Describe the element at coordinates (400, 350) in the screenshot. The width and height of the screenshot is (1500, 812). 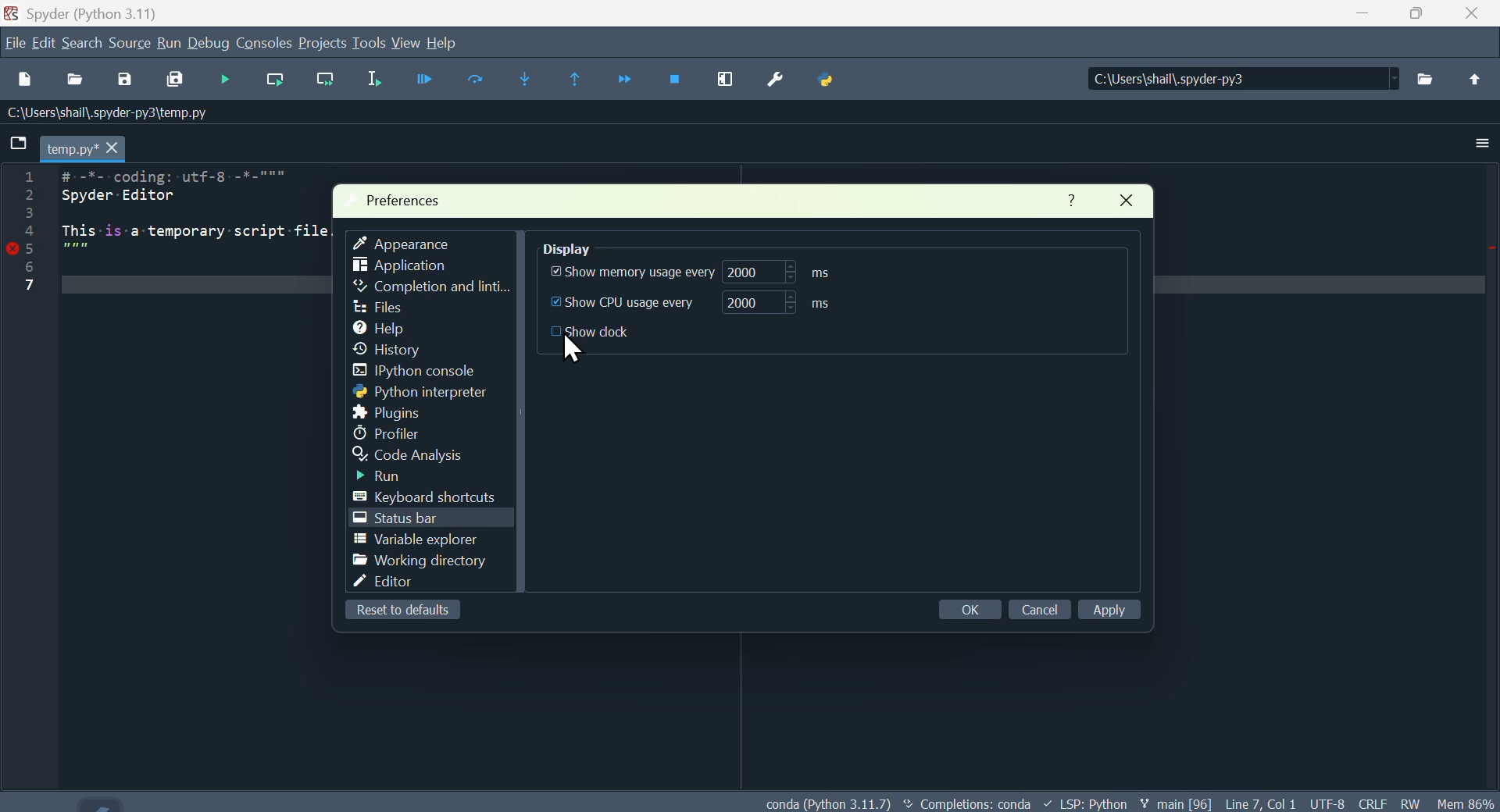
I see `history` at that location.